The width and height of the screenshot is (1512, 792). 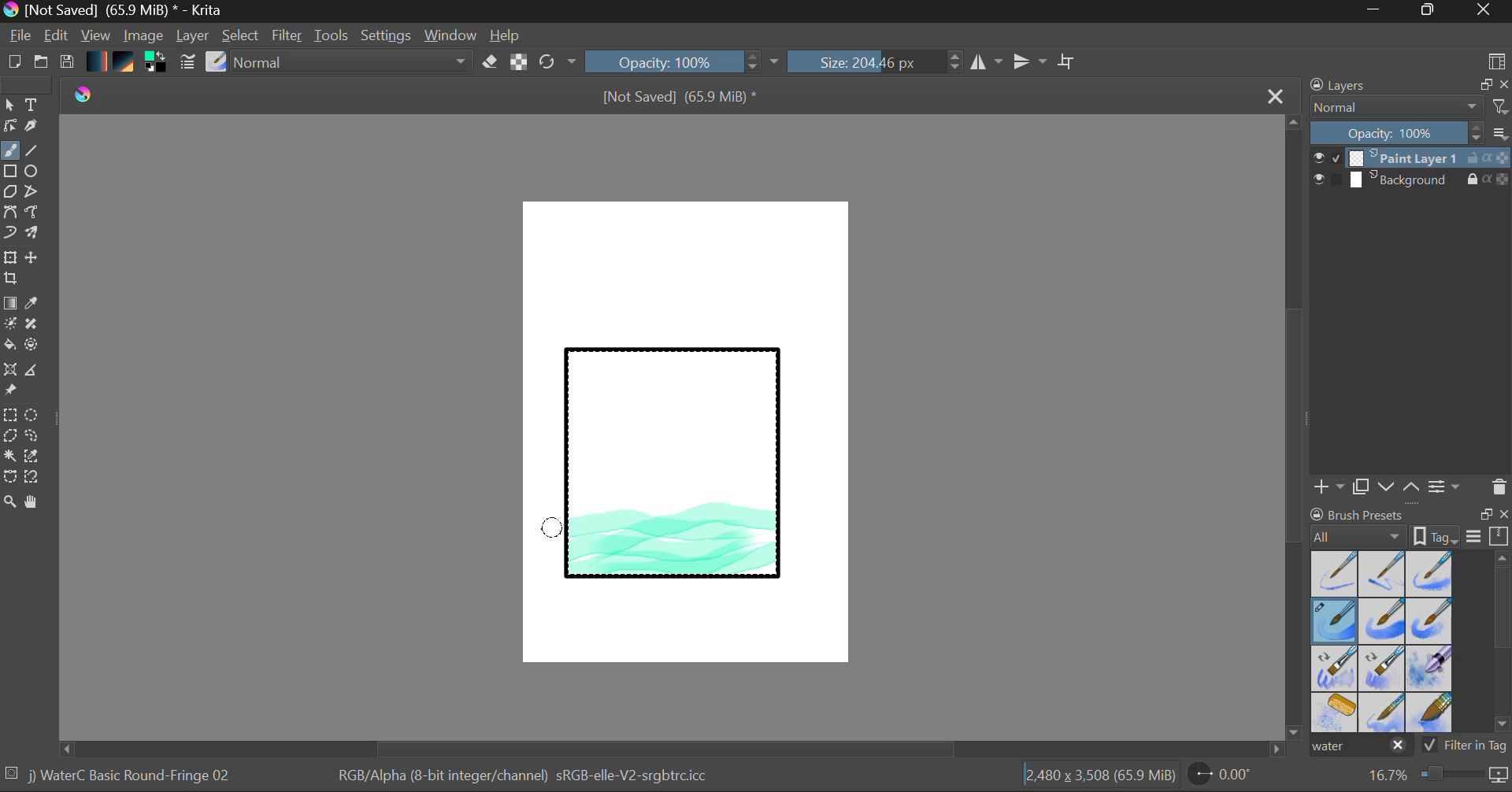 What do you see at coordinates (33, 257) in the screenshot?
I see `Move Layer` at bounding box center [33, 257].